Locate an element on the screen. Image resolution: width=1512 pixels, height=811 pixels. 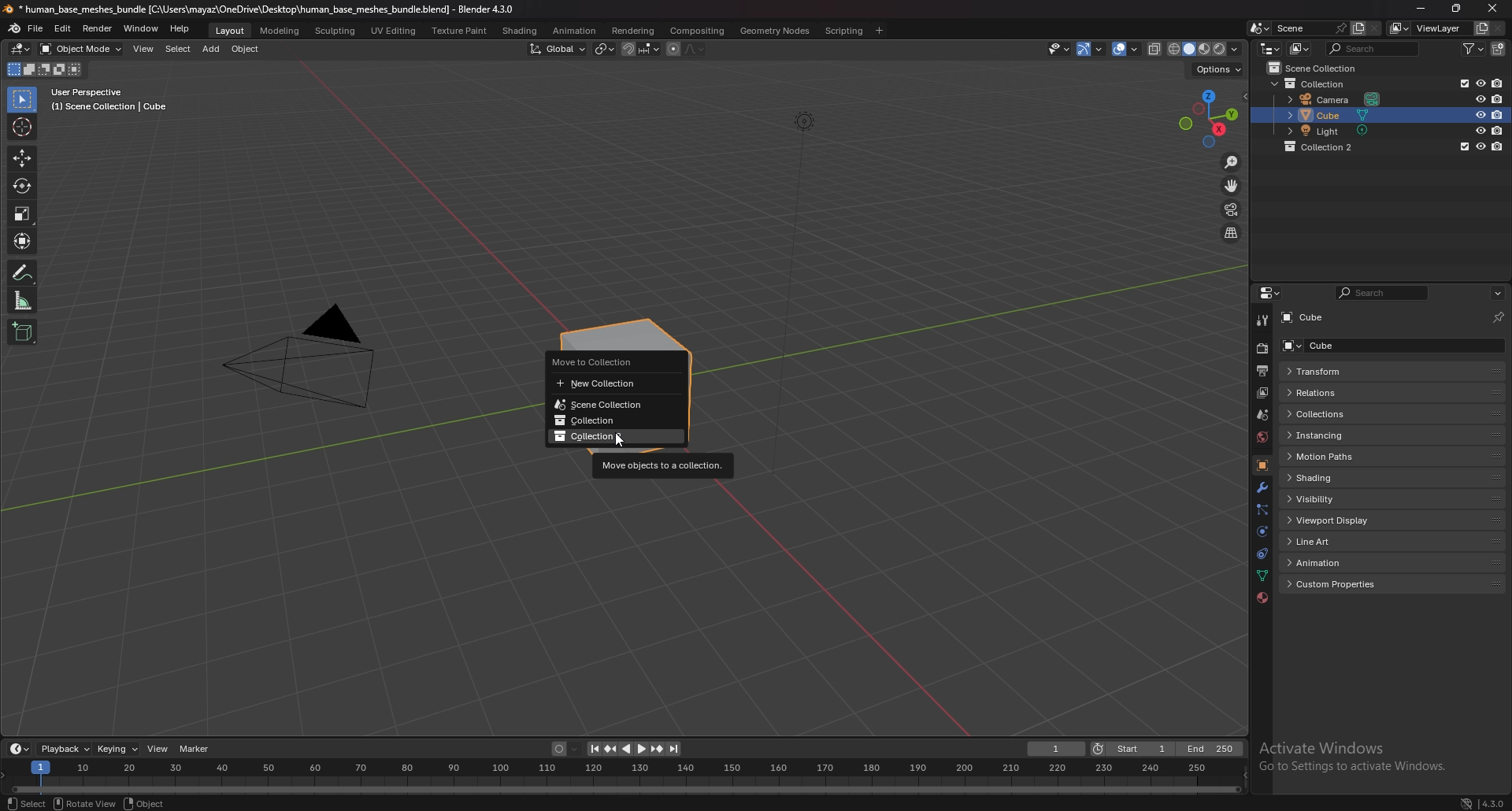
transform orientation is located at coordinates (558, 49).